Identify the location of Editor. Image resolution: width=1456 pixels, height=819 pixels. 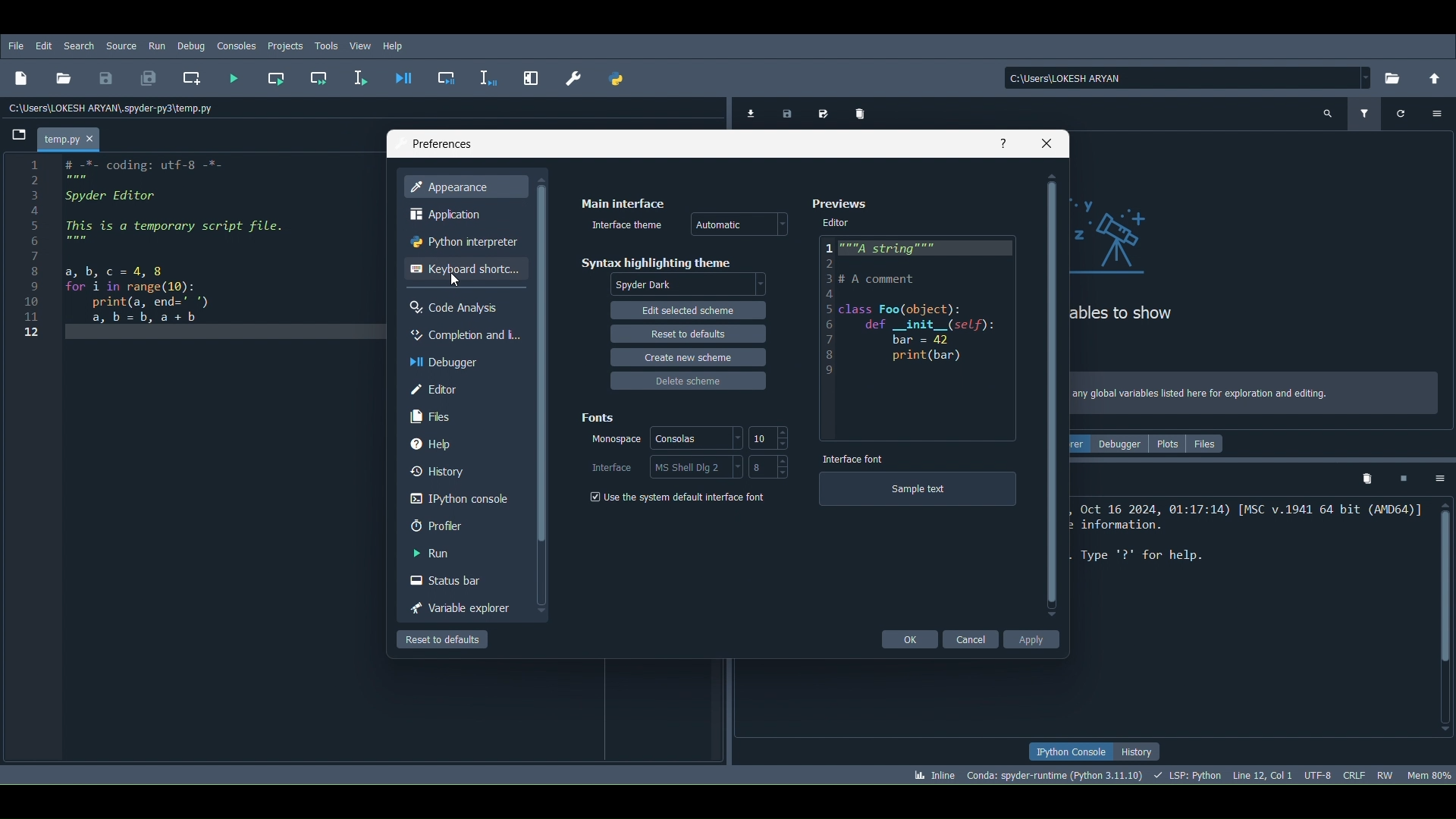
(836, 224).